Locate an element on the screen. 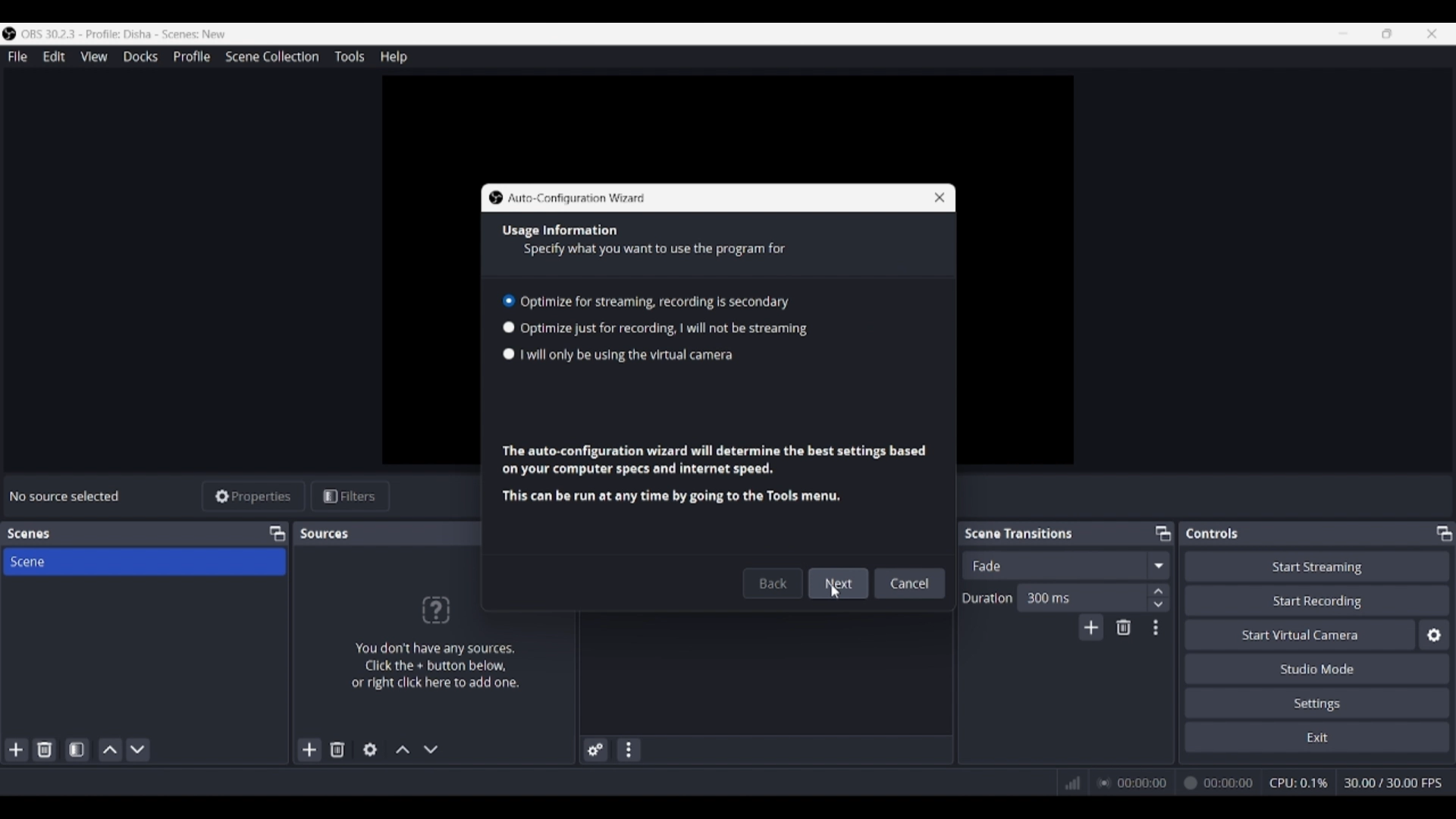 Image resolution: width=1456 pixels, height=819 pixels. Show interface in a smaller tab is located at coordinates (1387, 33).